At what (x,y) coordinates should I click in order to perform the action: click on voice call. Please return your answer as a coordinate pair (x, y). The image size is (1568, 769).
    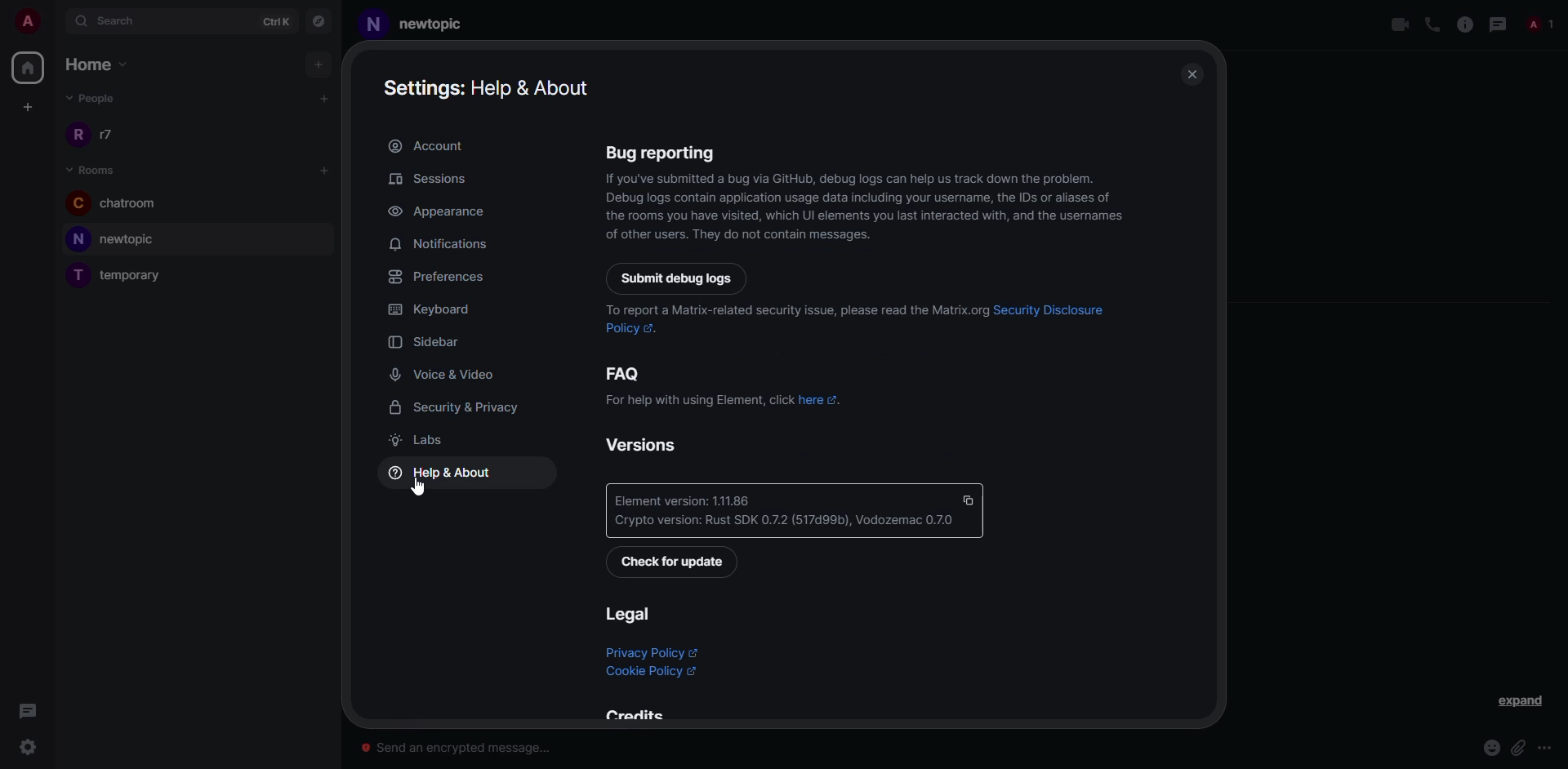
    Looking at the image, I should click on (1432, 24).